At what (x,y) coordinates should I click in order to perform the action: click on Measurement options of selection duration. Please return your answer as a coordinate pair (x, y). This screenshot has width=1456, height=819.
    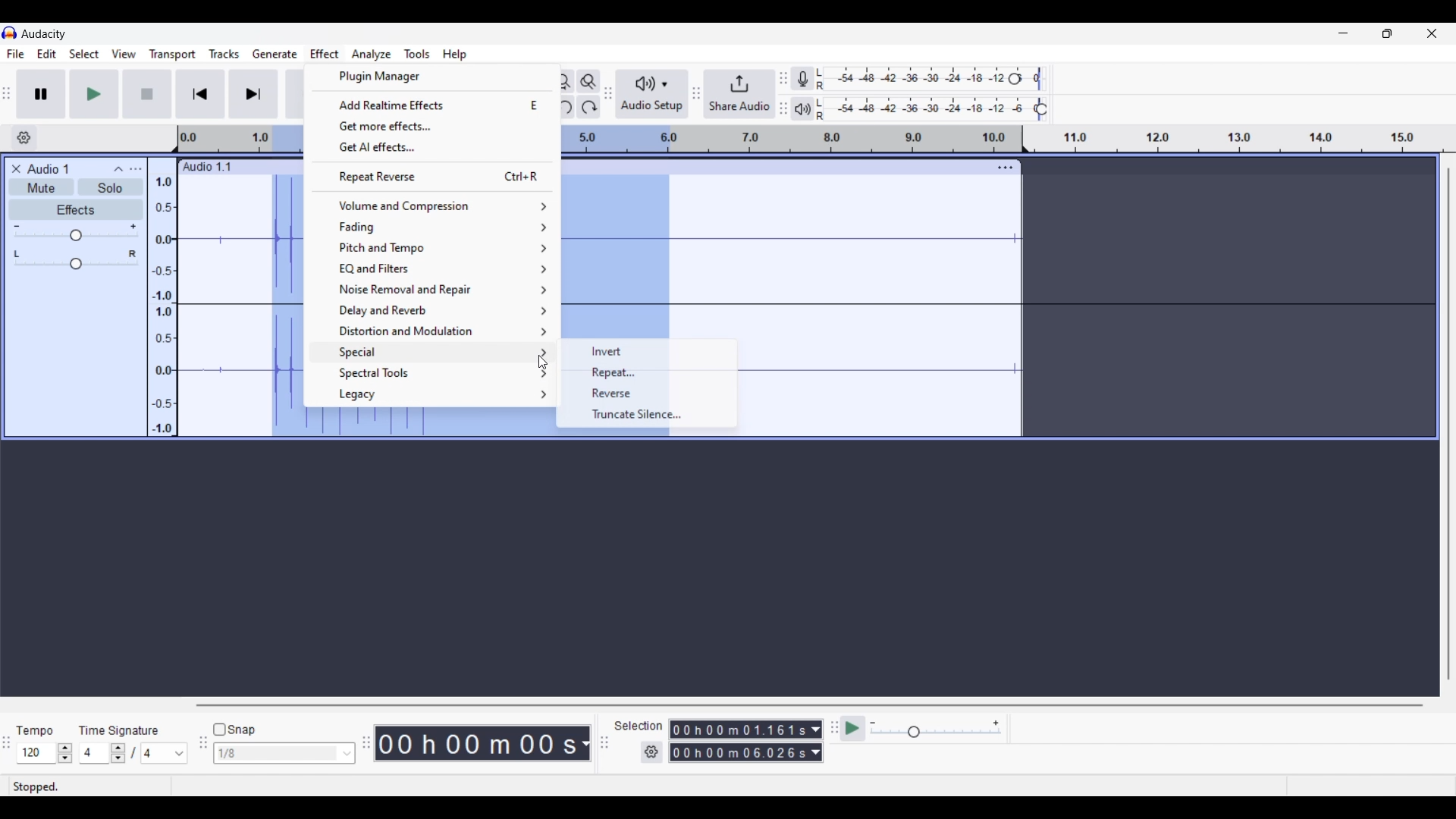
    Looking at the image, I should click on (815, 742).